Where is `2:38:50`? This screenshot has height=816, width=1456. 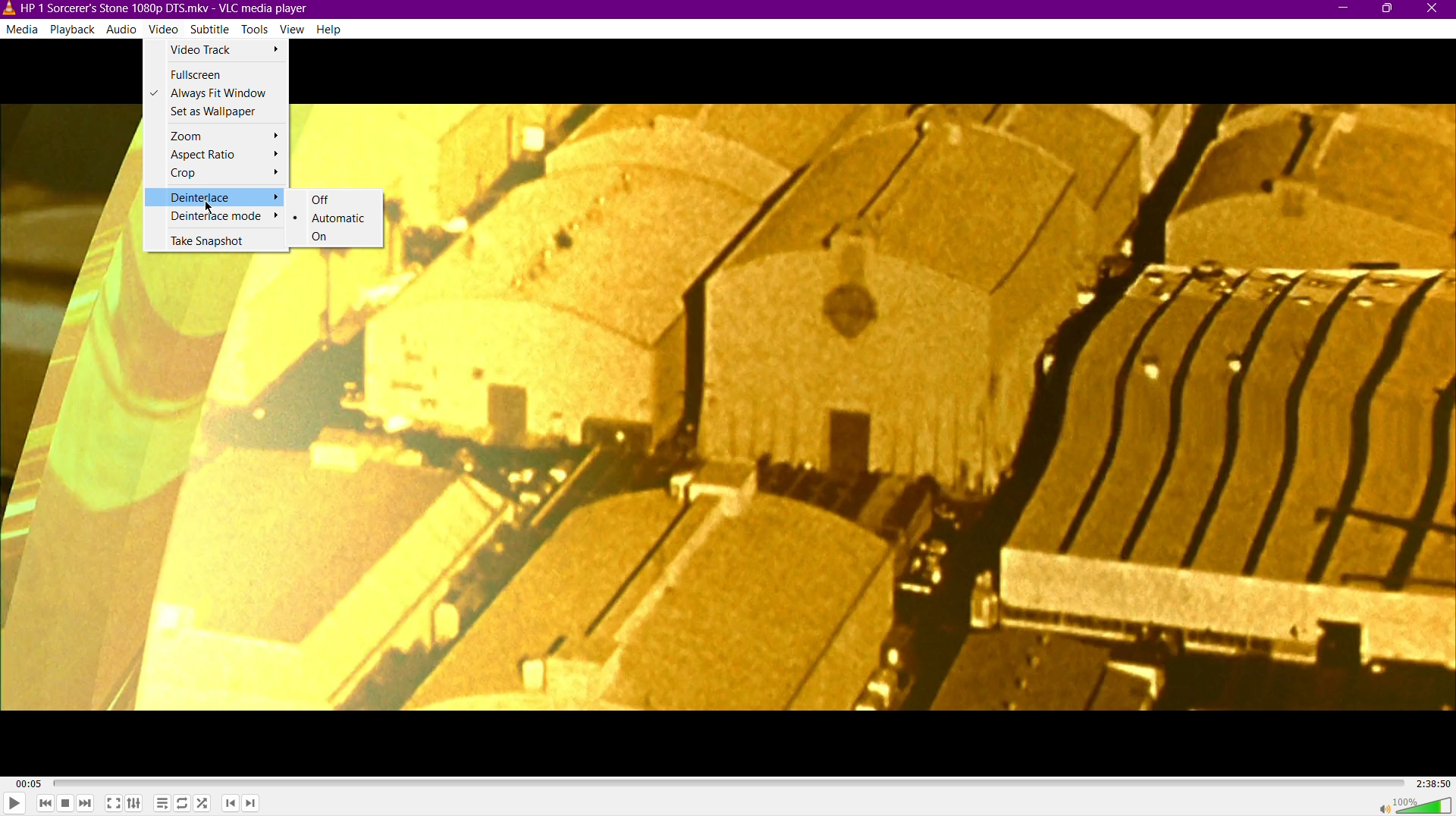
2:38:50 is located at coordinates (1435, 781).